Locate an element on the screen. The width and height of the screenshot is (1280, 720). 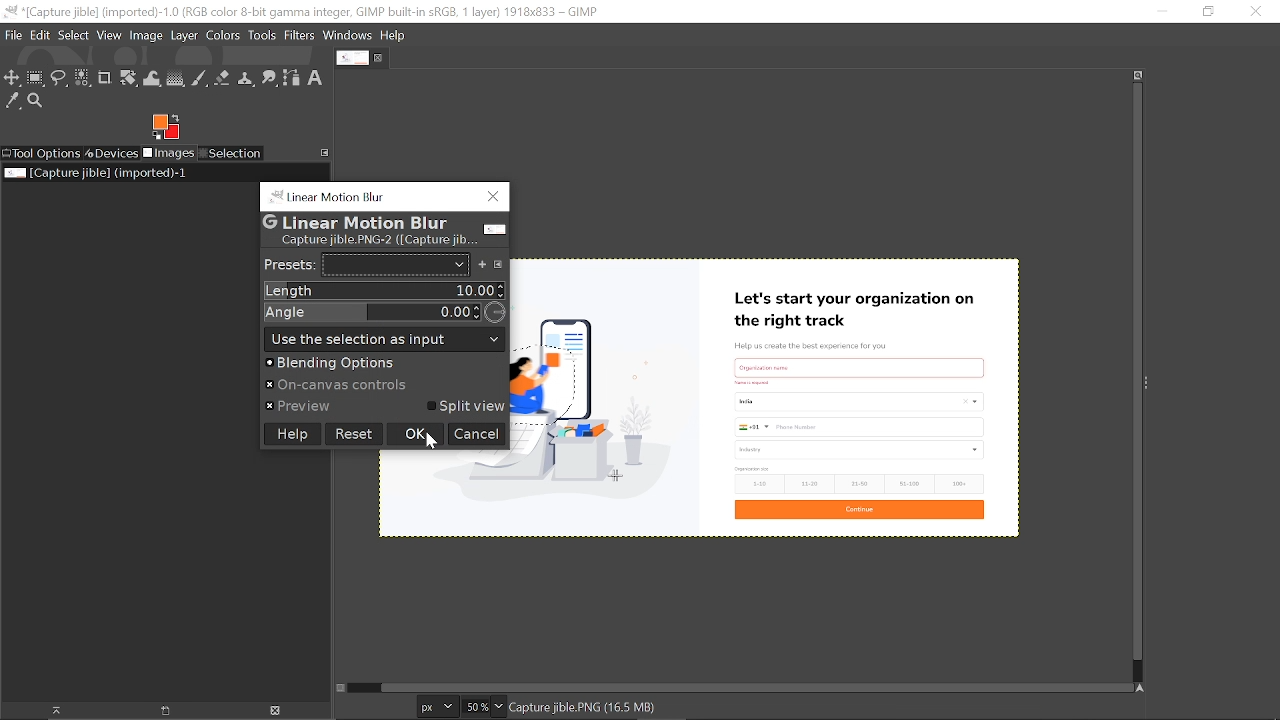
Select is located at coordinates (74, 35).